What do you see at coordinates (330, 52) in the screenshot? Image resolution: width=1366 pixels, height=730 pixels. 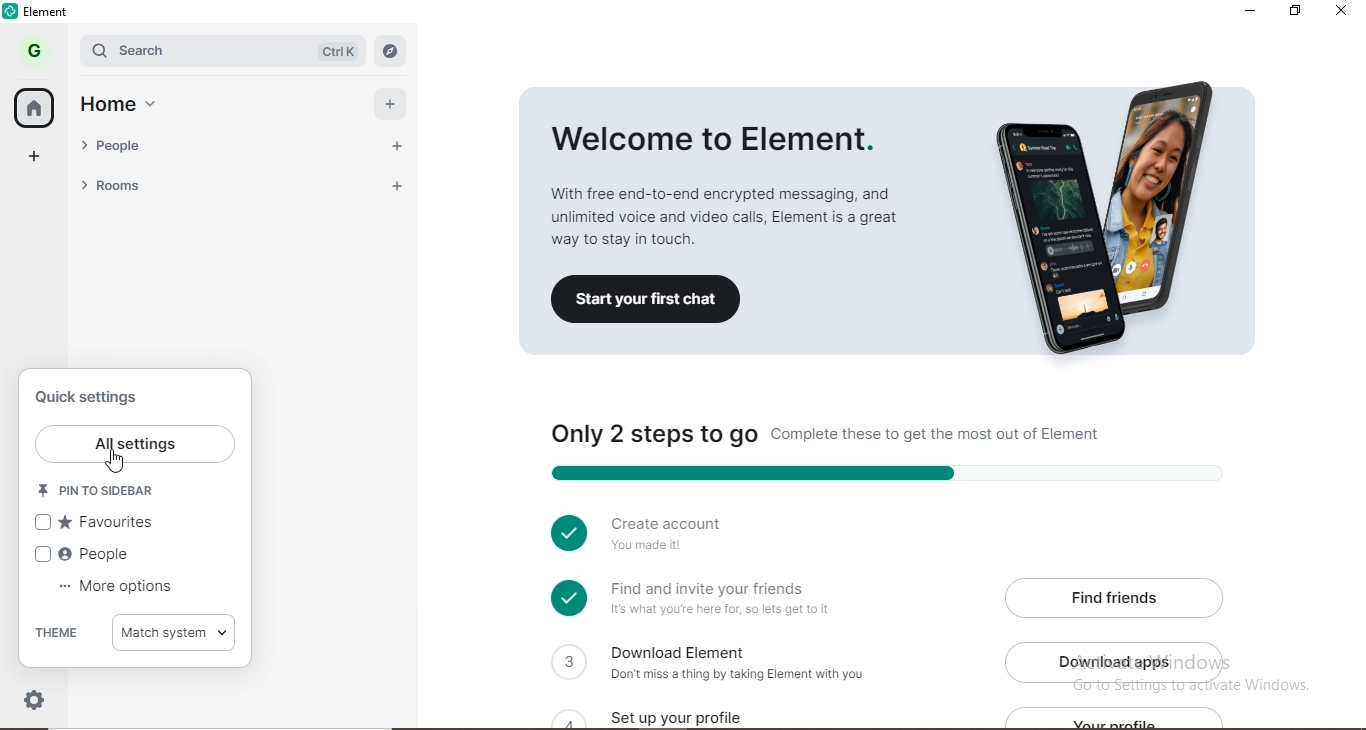 I see `ctrl k` at bounding box center [330, 52].